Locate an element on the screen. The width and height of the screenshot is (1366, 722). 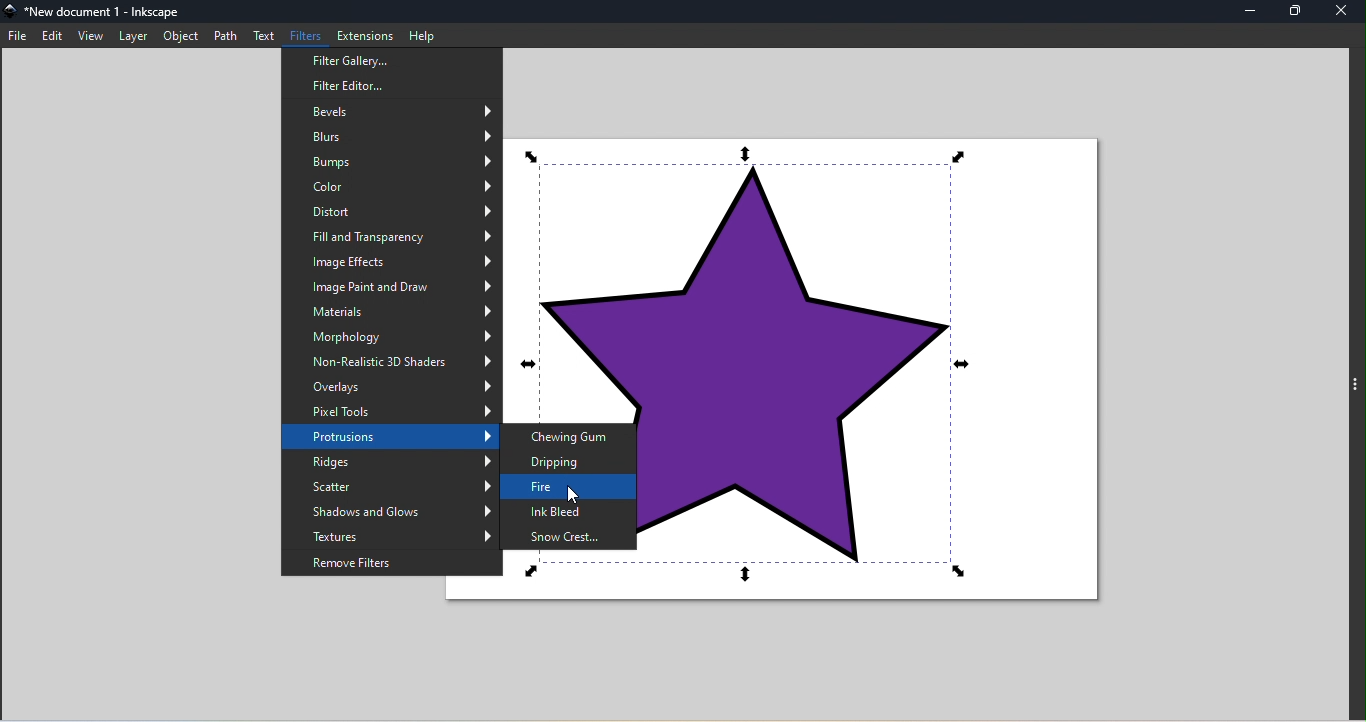
Overlays is located at coordinates (391, 388).